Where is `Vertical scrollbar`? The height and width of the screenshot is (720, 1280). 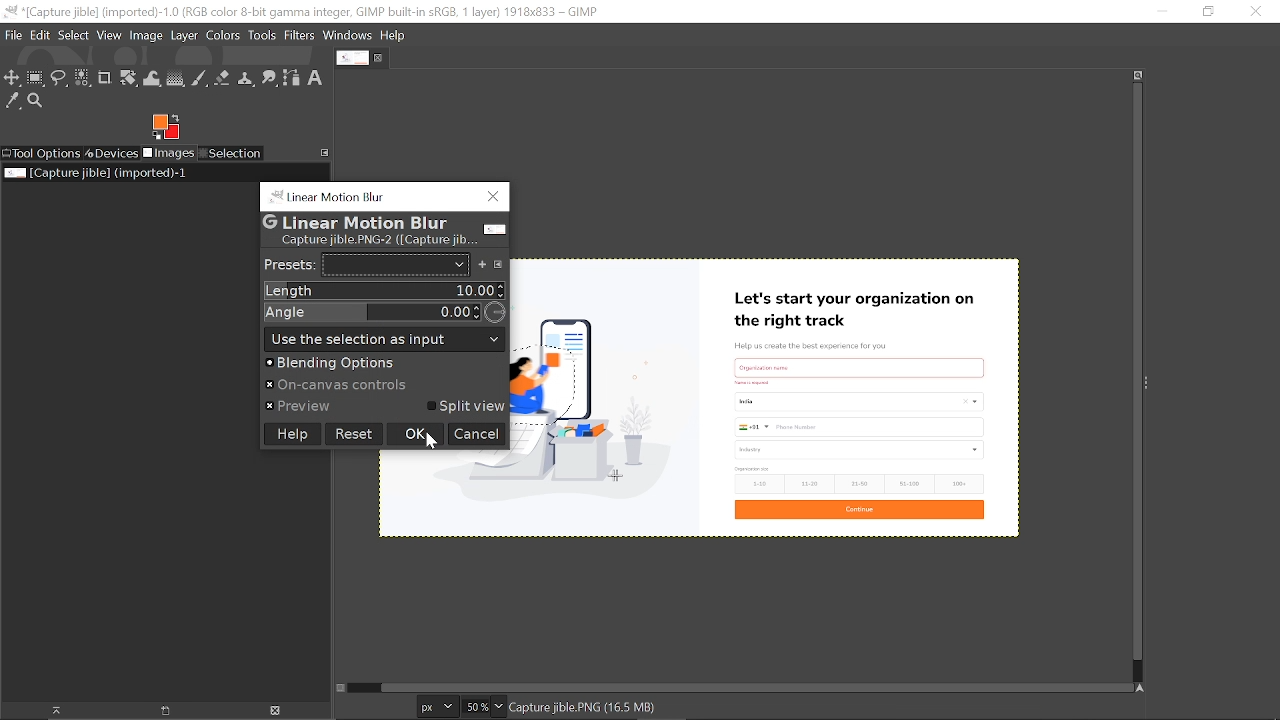
Vertical scrollbar is located at coordinates (1134, 374).